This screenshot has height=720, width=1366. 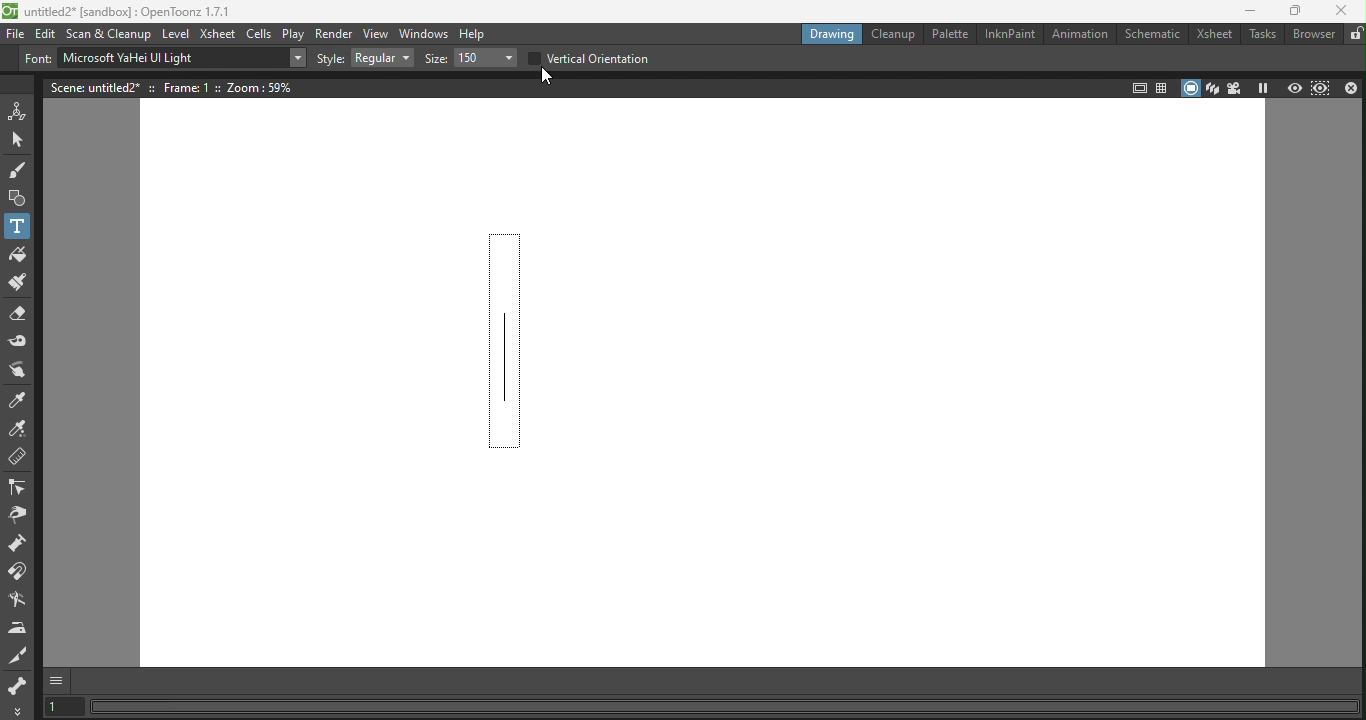 What do you see at coordinates (377, 35) in the screenshot?
I see `View` at bounding box center [377, 35].